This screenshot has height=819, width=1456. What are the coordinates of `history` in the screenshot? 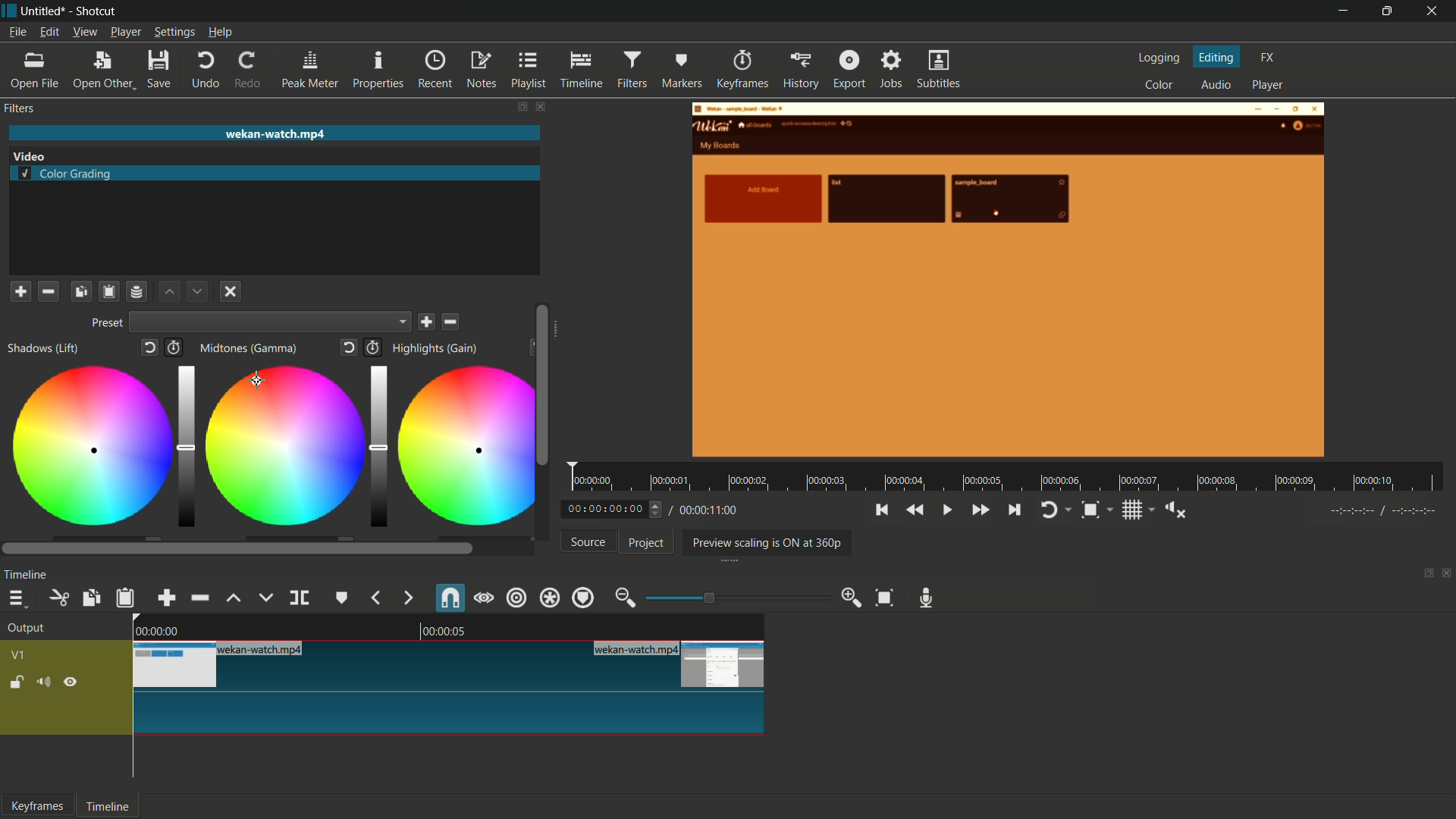 It's located at (799, 71).